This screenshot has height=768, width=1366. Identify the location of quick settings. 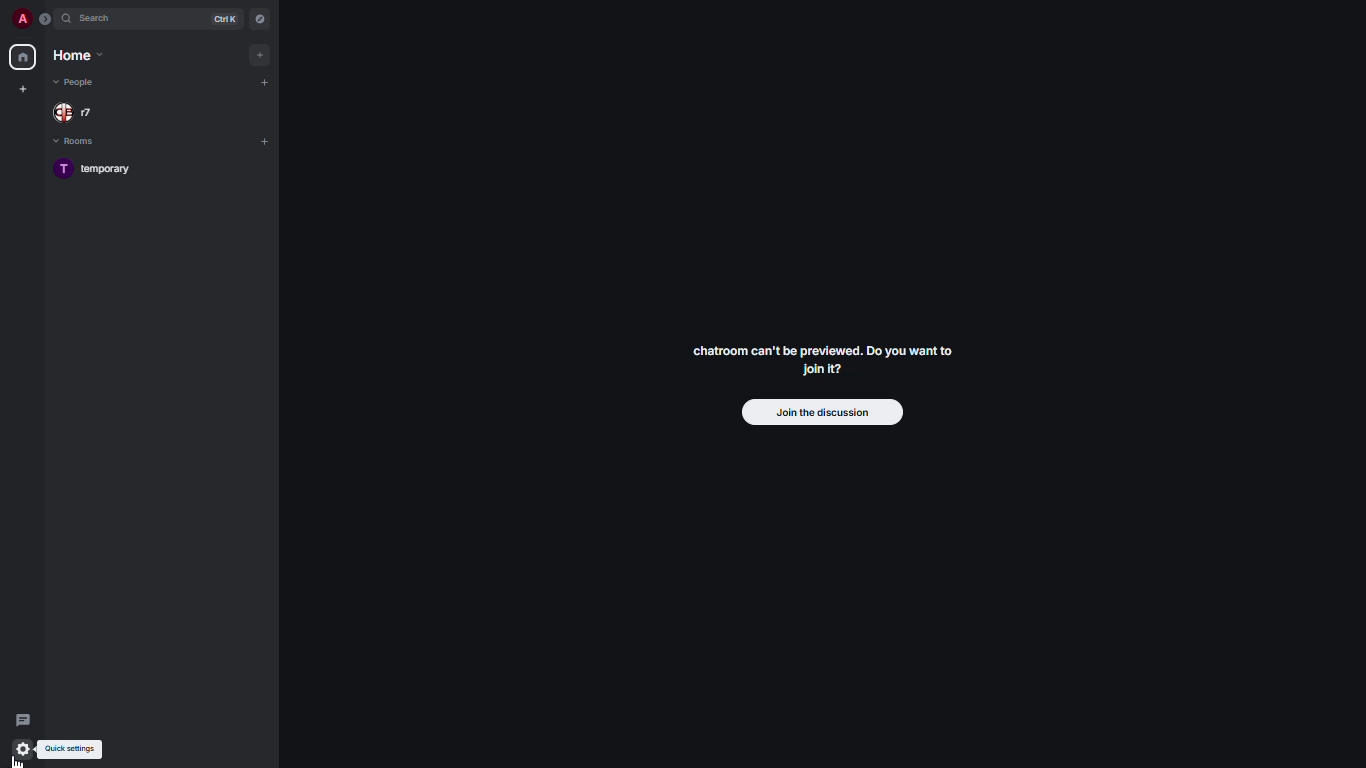
(20, 748).